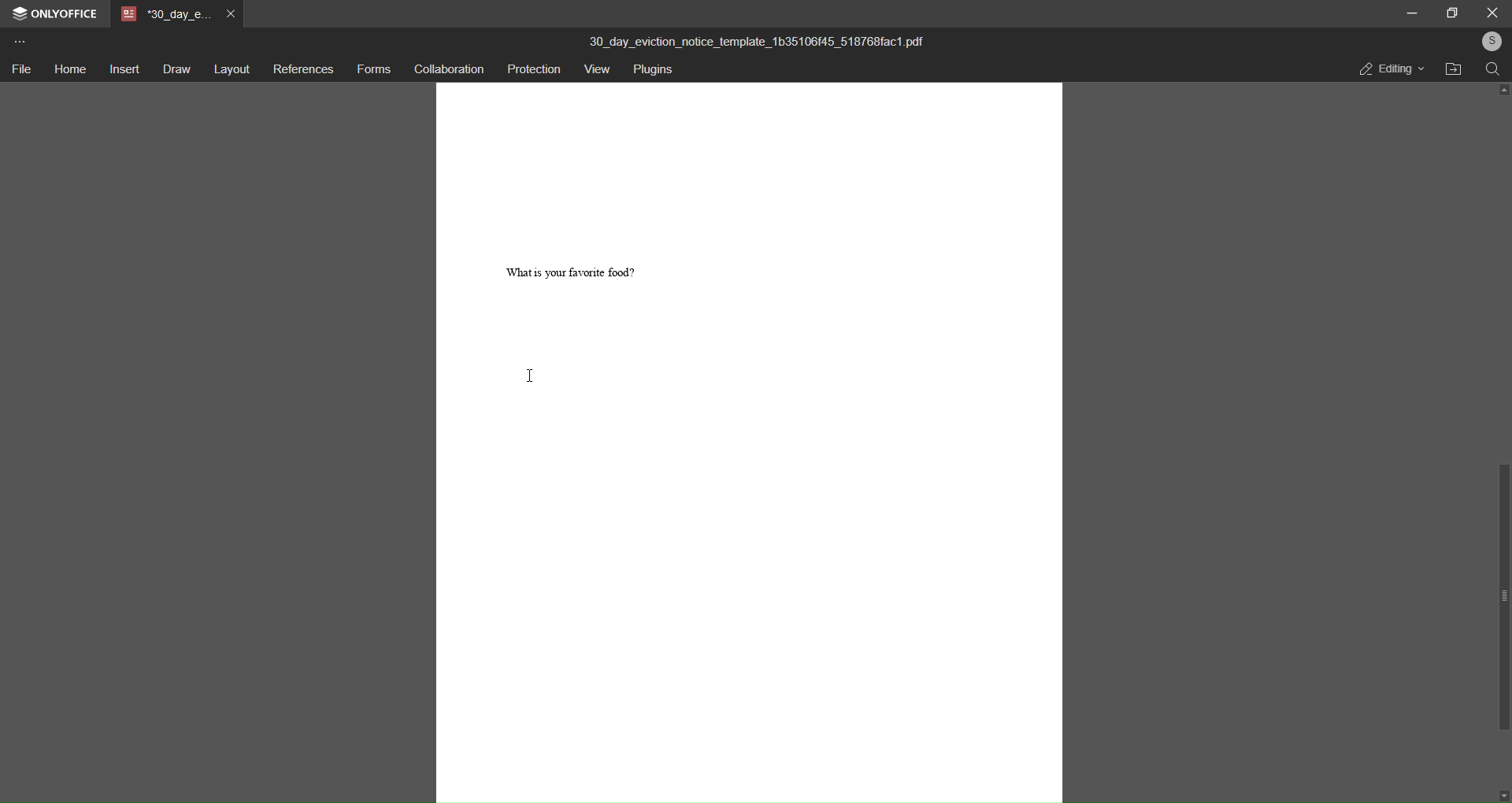 This screenshot has height=803, width=1512. What do you see at coordinates (124, 69) in the screenshot?
I see `insert` at bounding box center [124, 69].